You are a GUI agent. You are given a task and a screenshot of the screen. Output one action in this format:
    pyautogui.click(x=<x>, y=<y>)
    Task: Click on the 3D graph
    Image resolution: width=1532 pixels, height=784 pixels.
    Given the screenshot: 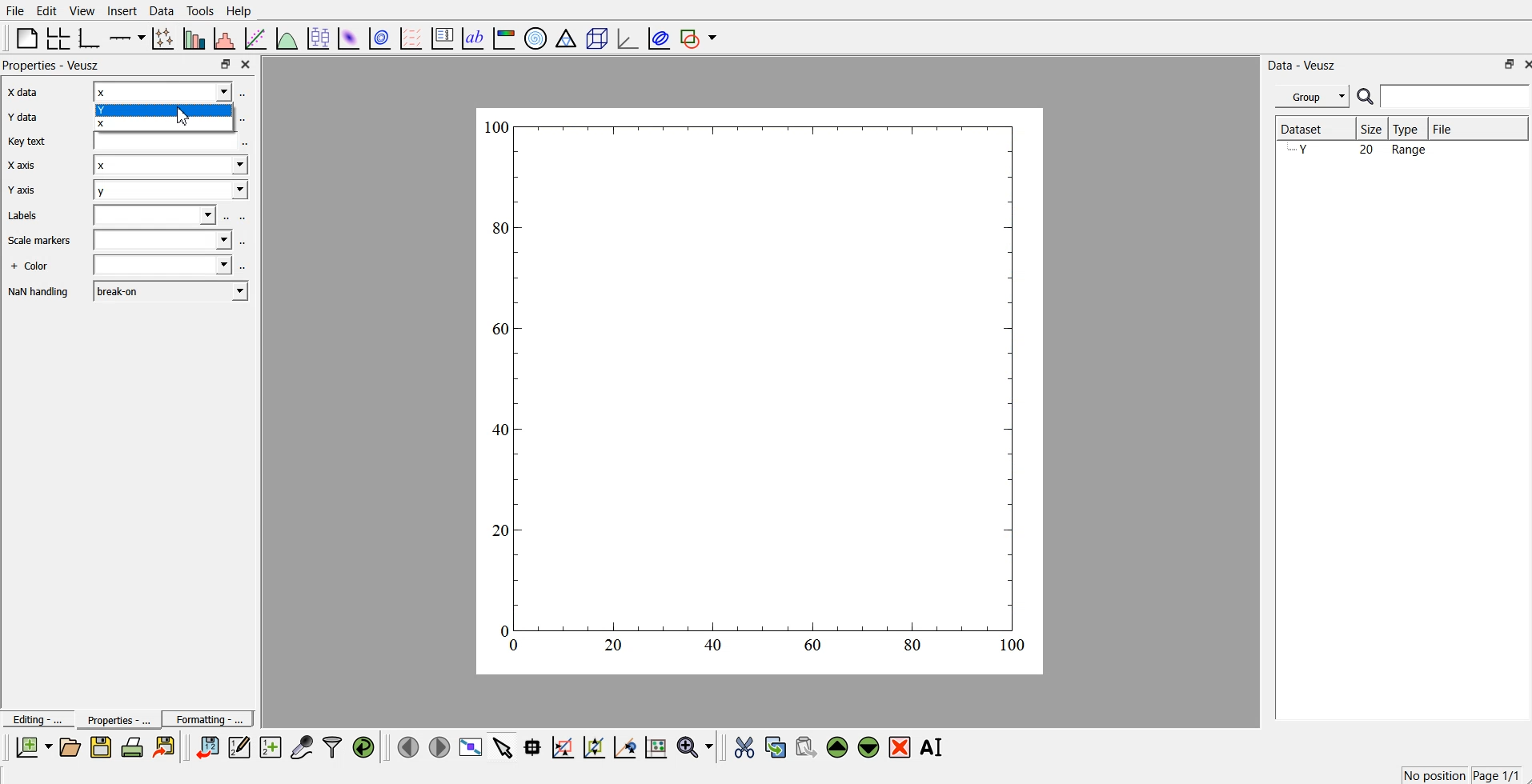 What is the action you would take?
    pyautogui.click(x=626, y=38)
    